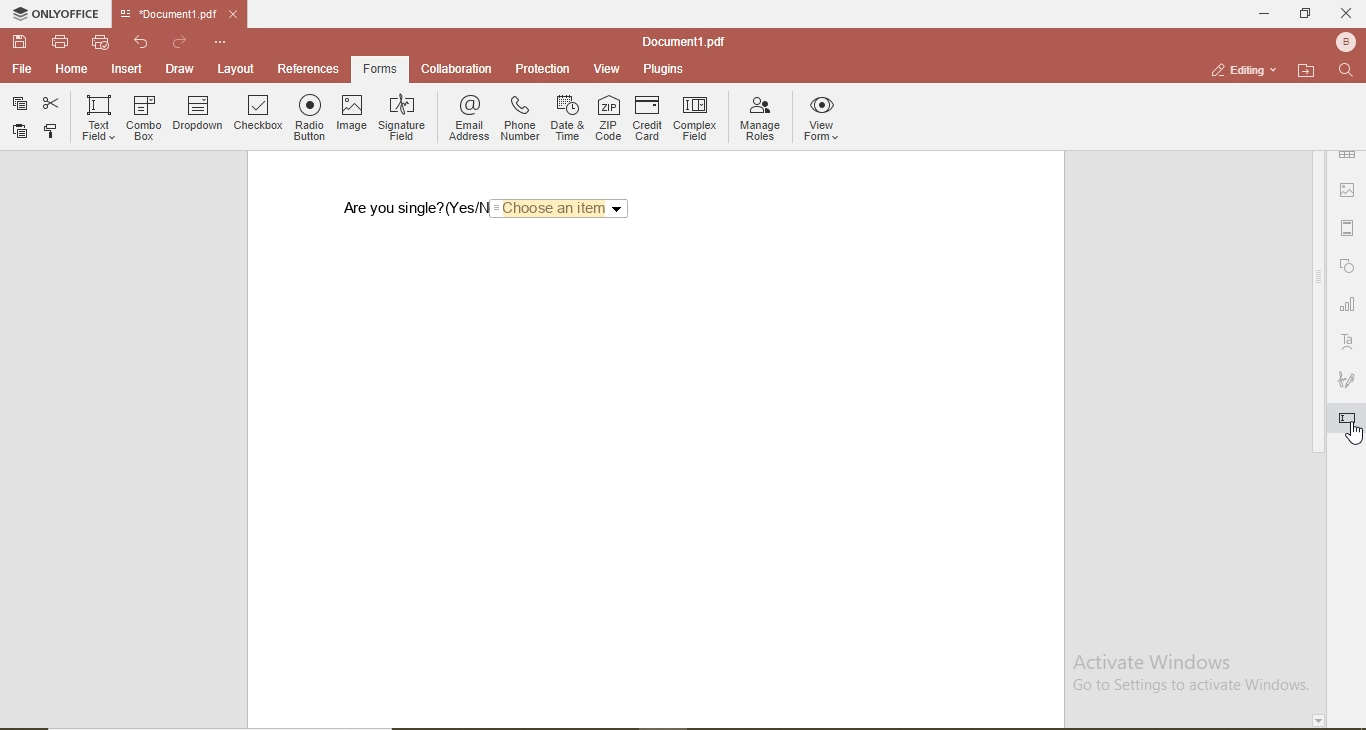  I want to click on table, so click(1346, 154).